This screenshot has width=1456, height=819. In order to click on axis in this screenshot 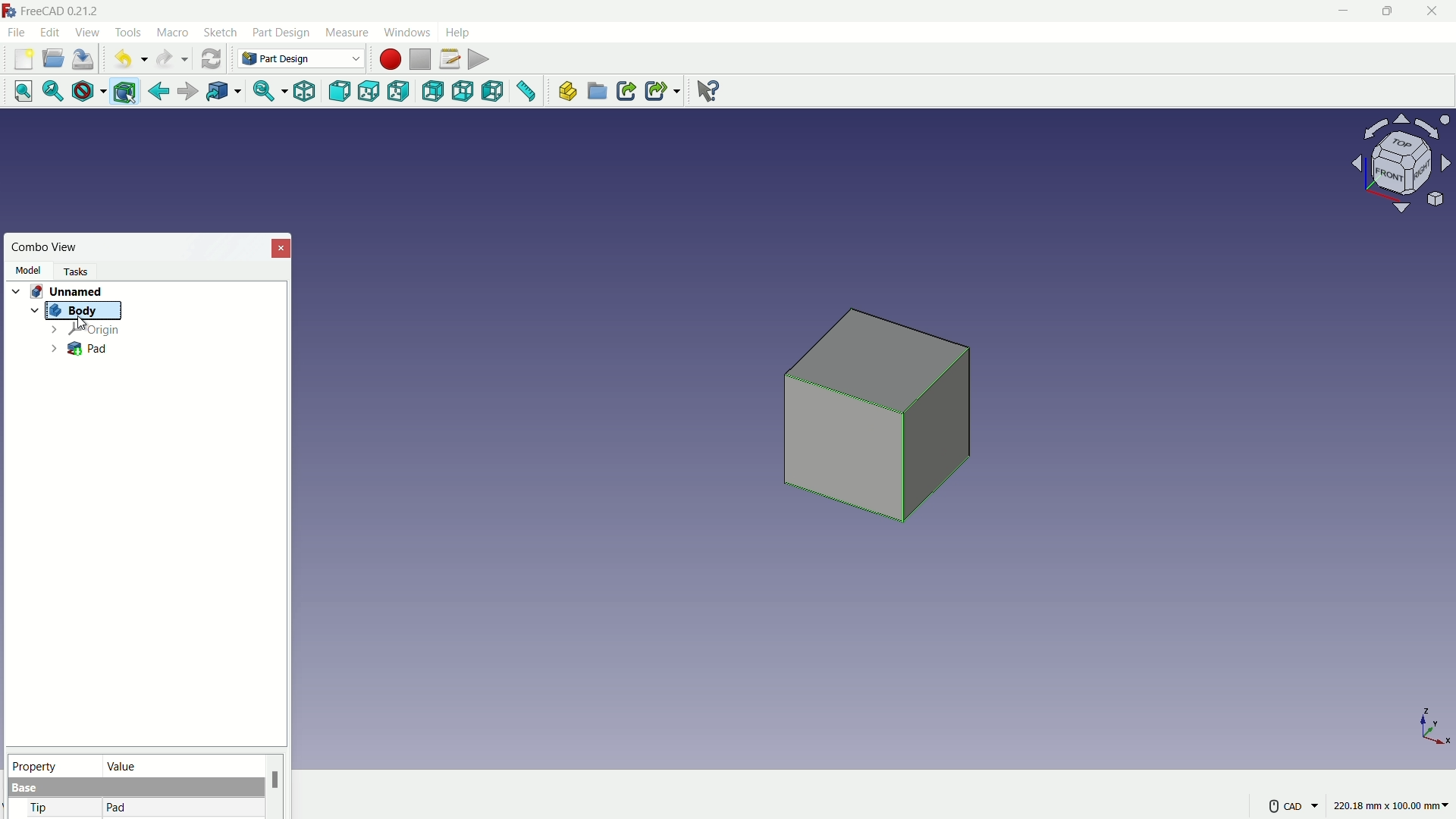, I will do `click(1435, 726)`.